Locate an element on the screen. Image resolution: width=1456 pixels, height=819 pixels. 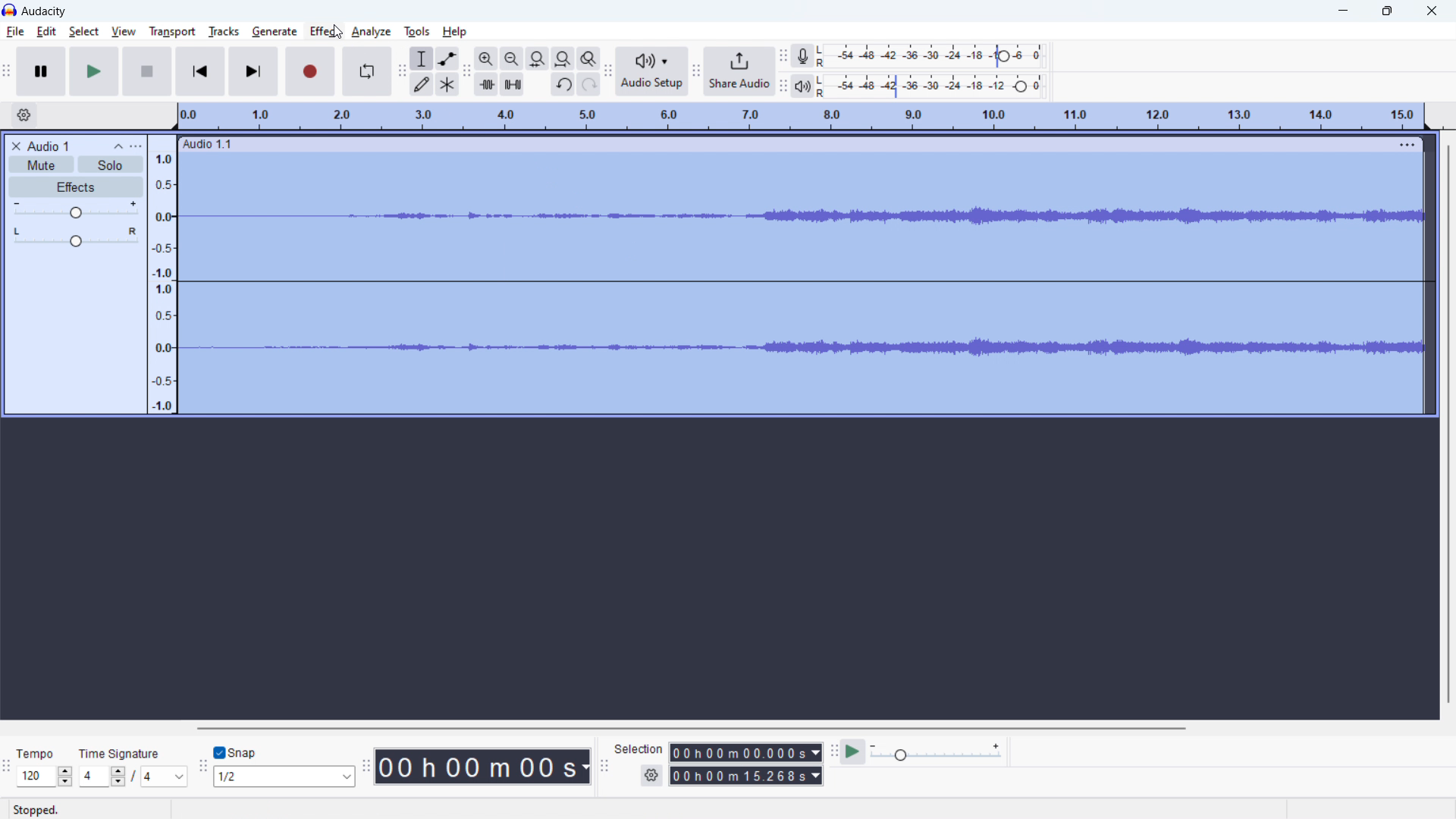
volume is located at coordinates (77, 210).